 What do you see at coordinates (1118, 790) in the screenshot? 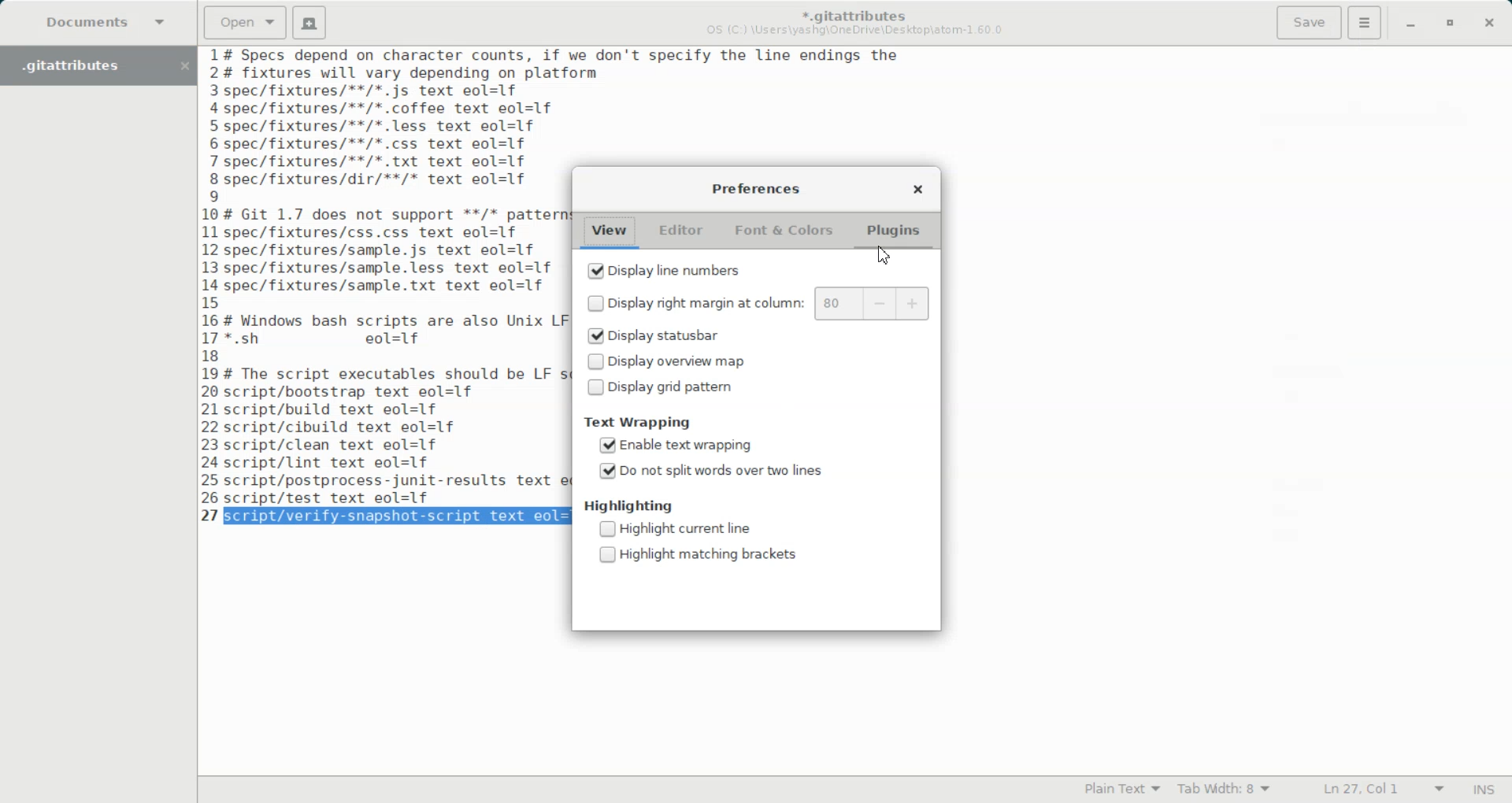
I see `Plain Text` at bounding box center [1118, 790].